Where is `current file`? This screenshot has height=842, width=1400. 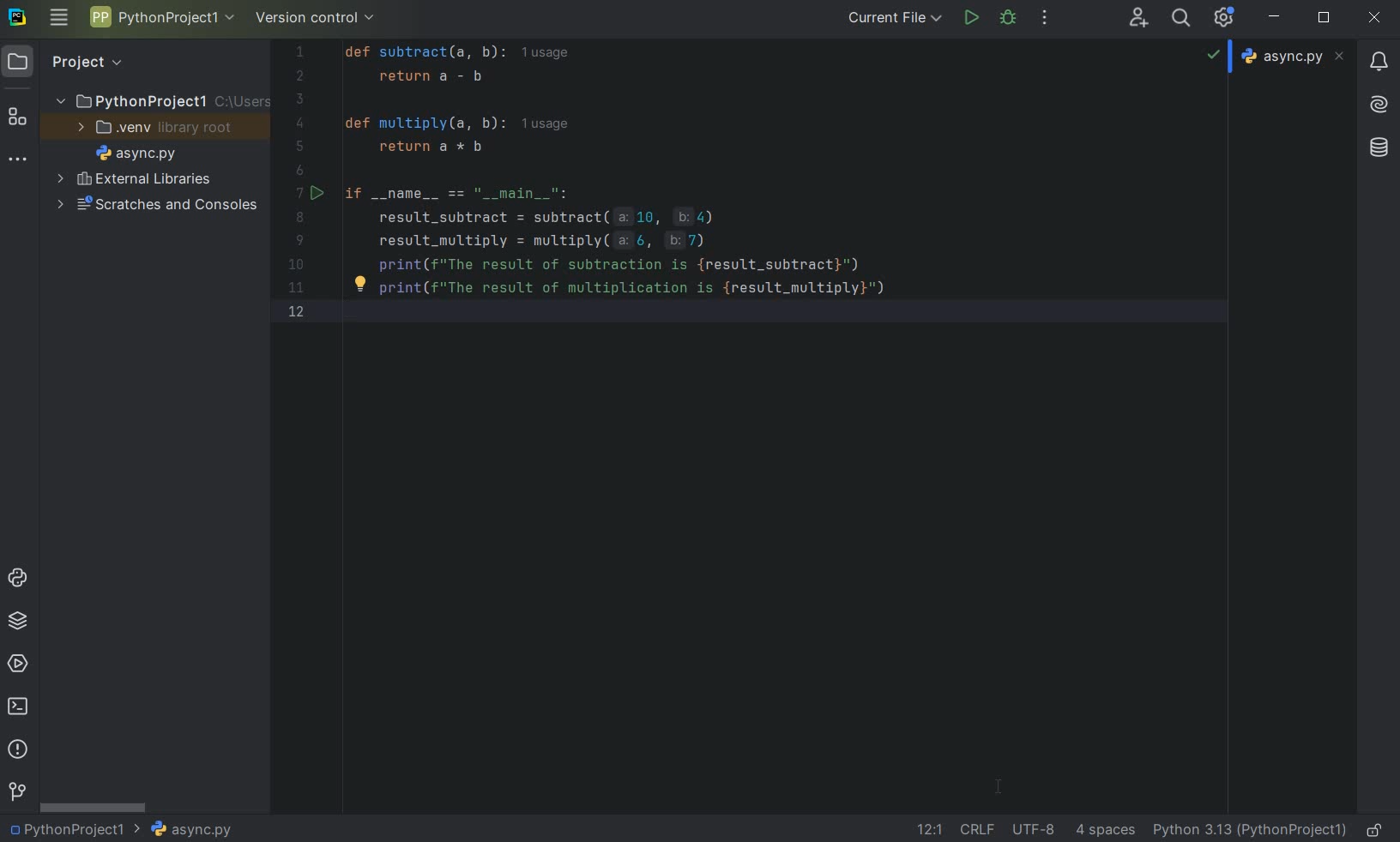
current file is located at coordinates (893, 19).